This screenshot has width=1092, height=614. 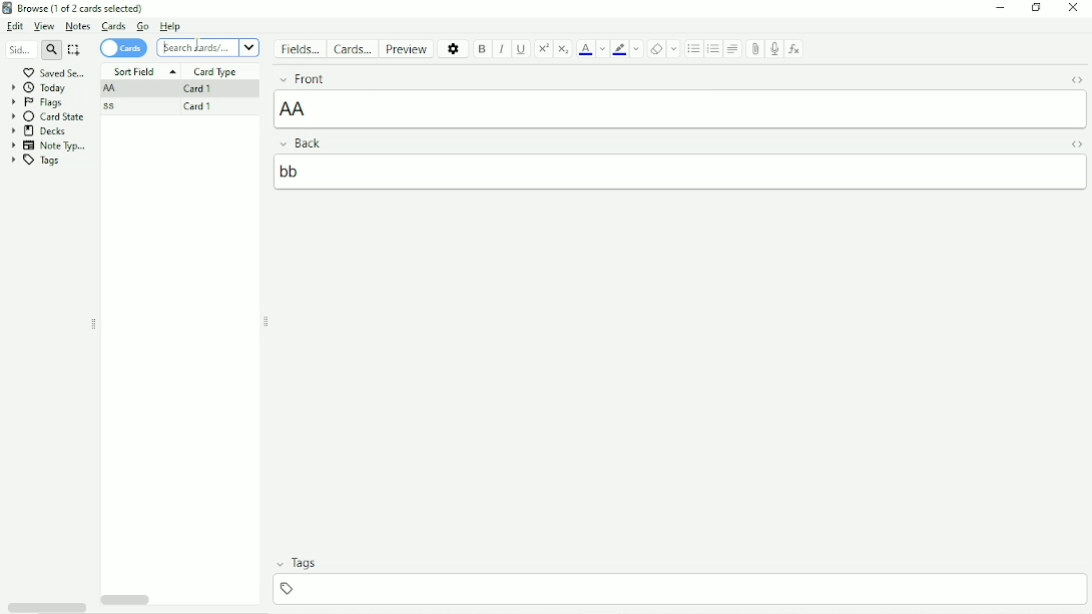 What do you see at coordinates (197, 48) in the screenshot?
I see `Search` at bounding box center [197, 48].